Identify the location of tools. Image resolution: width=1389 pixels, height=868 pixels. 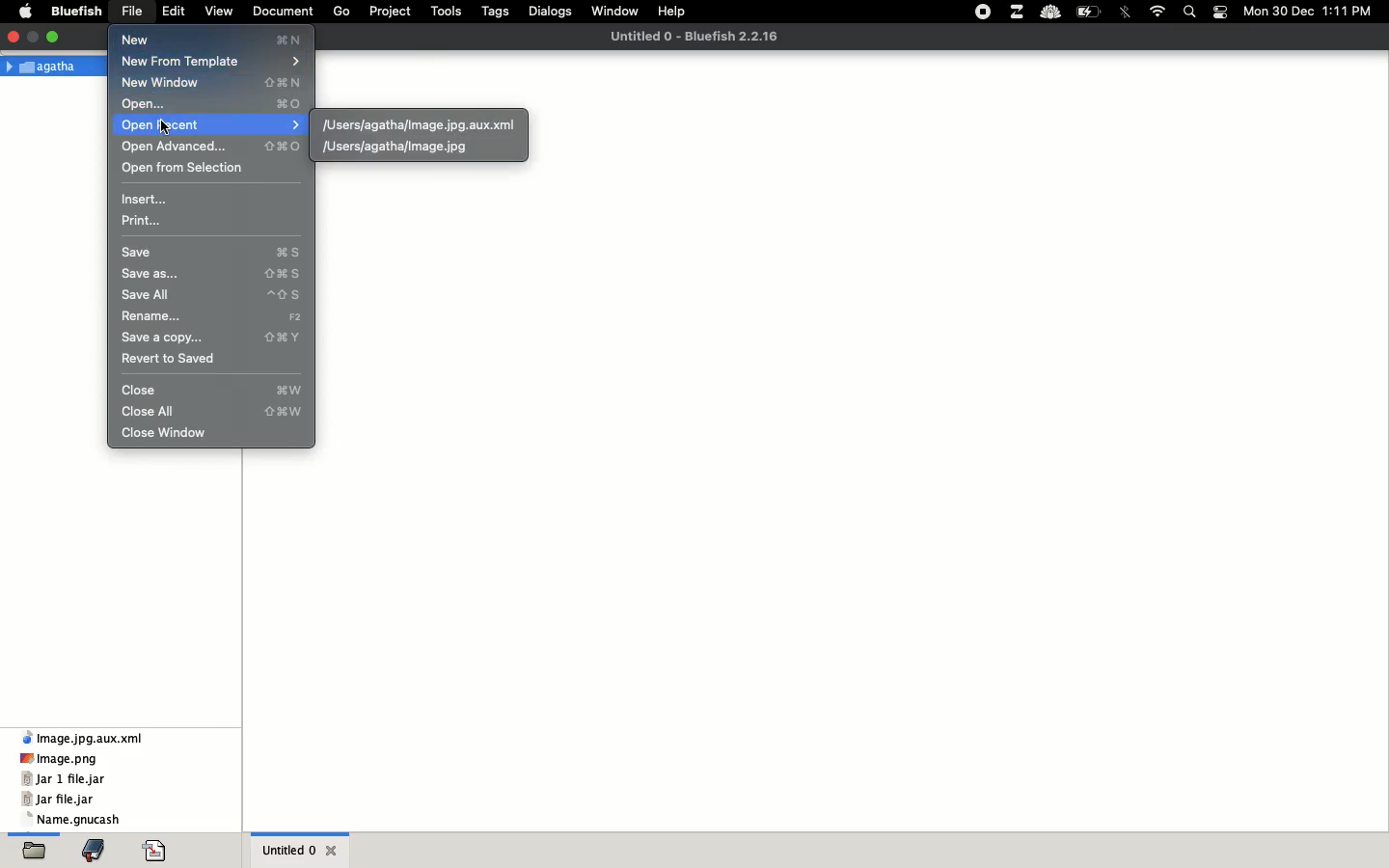
(446, 12).